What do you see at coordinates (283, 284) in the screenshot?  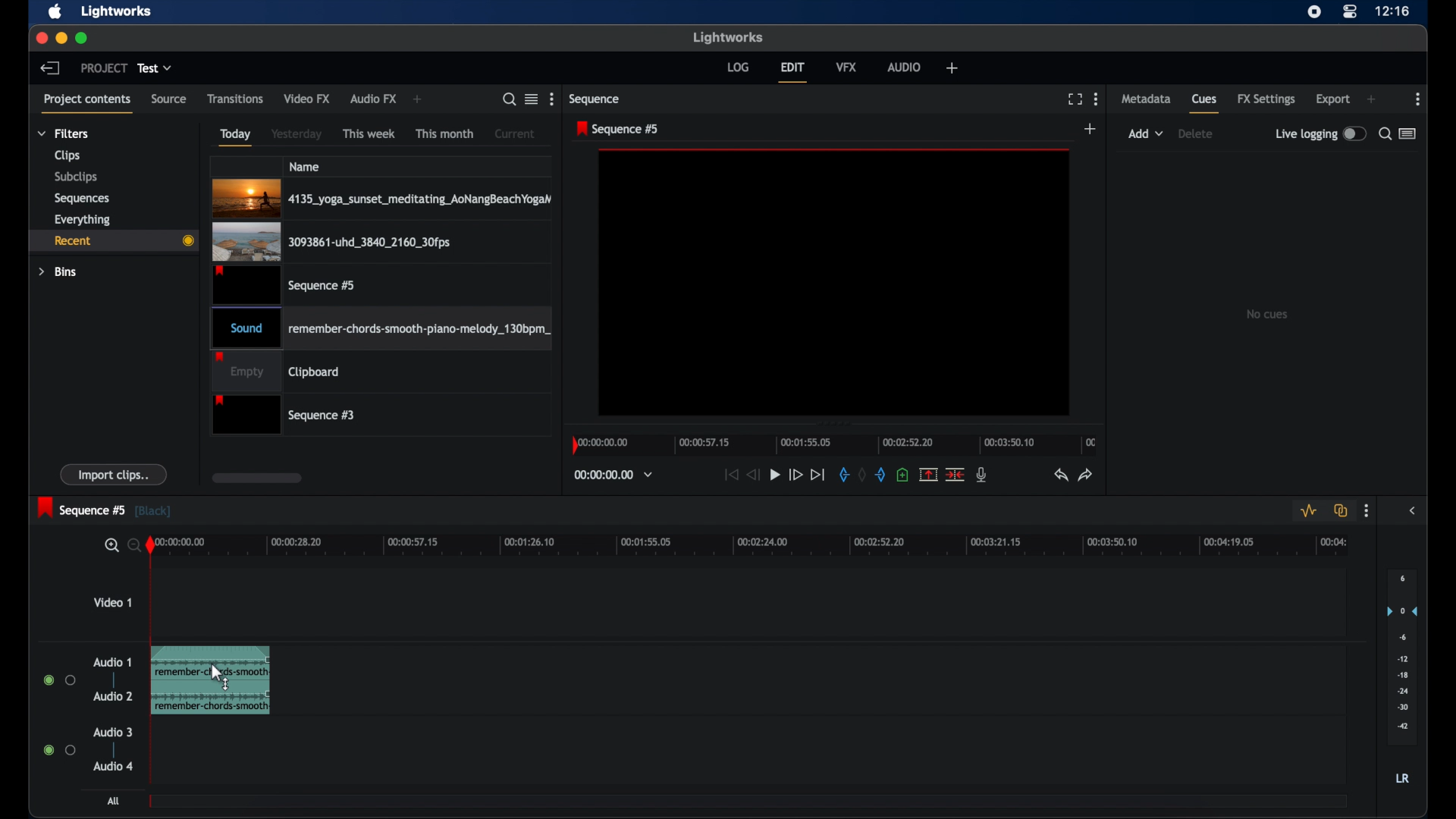 I see `sequence #5` at bounding box center [283, 284].